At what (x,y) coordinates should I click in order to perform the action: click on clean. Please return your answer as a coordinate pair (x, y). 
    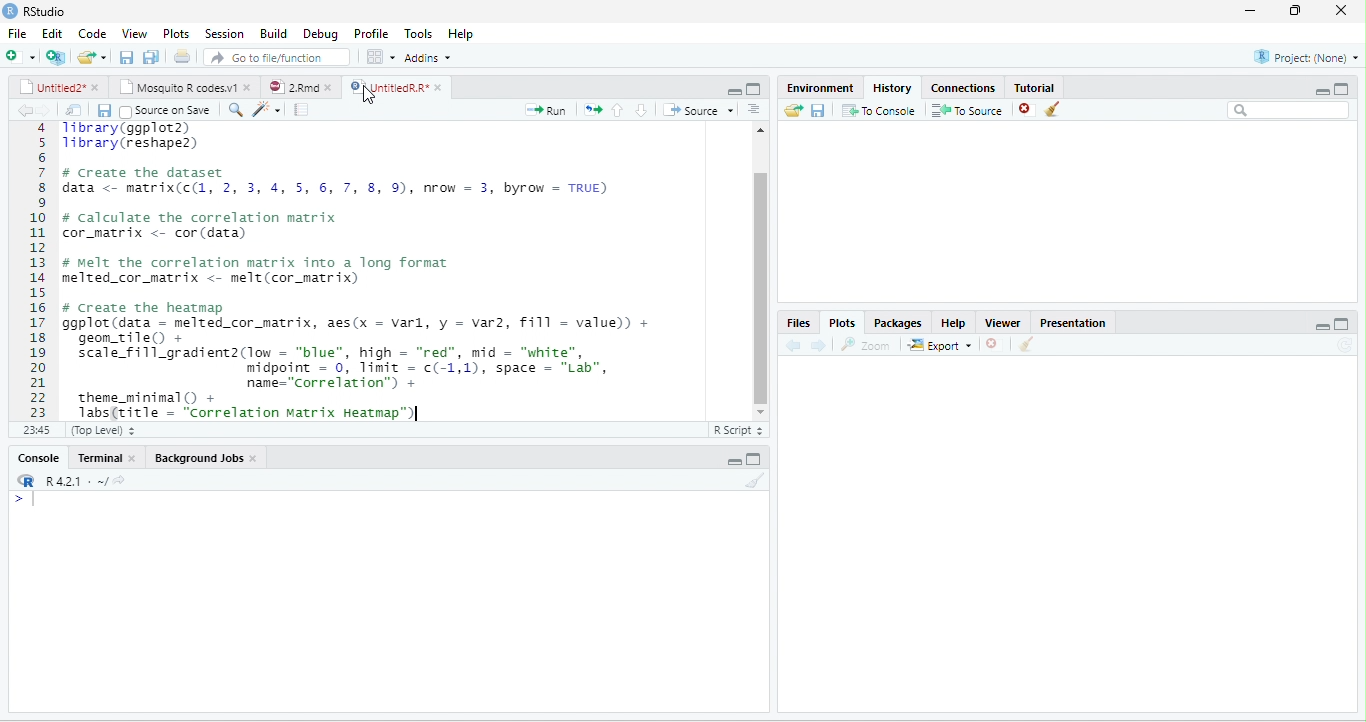
    Looking at the image, I should click on (746, 482).